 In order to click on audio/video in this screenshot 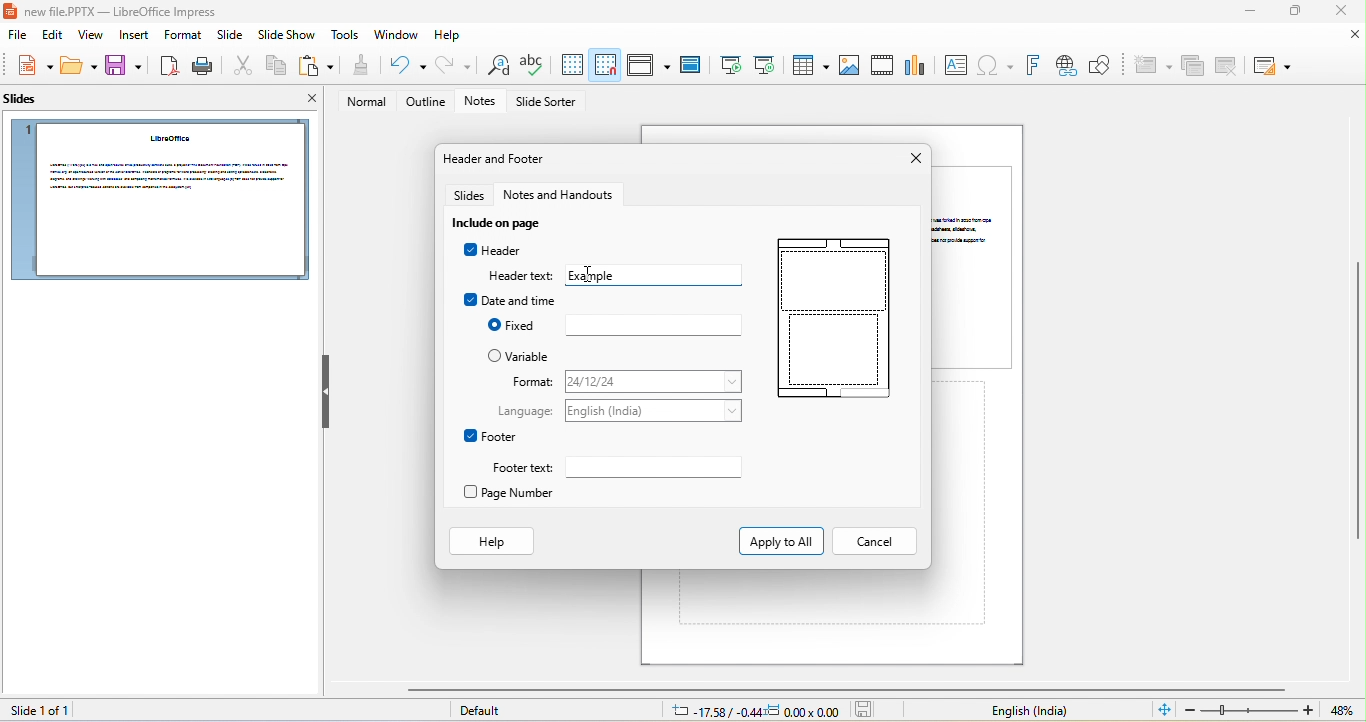, I will do `click(884, 65)`.